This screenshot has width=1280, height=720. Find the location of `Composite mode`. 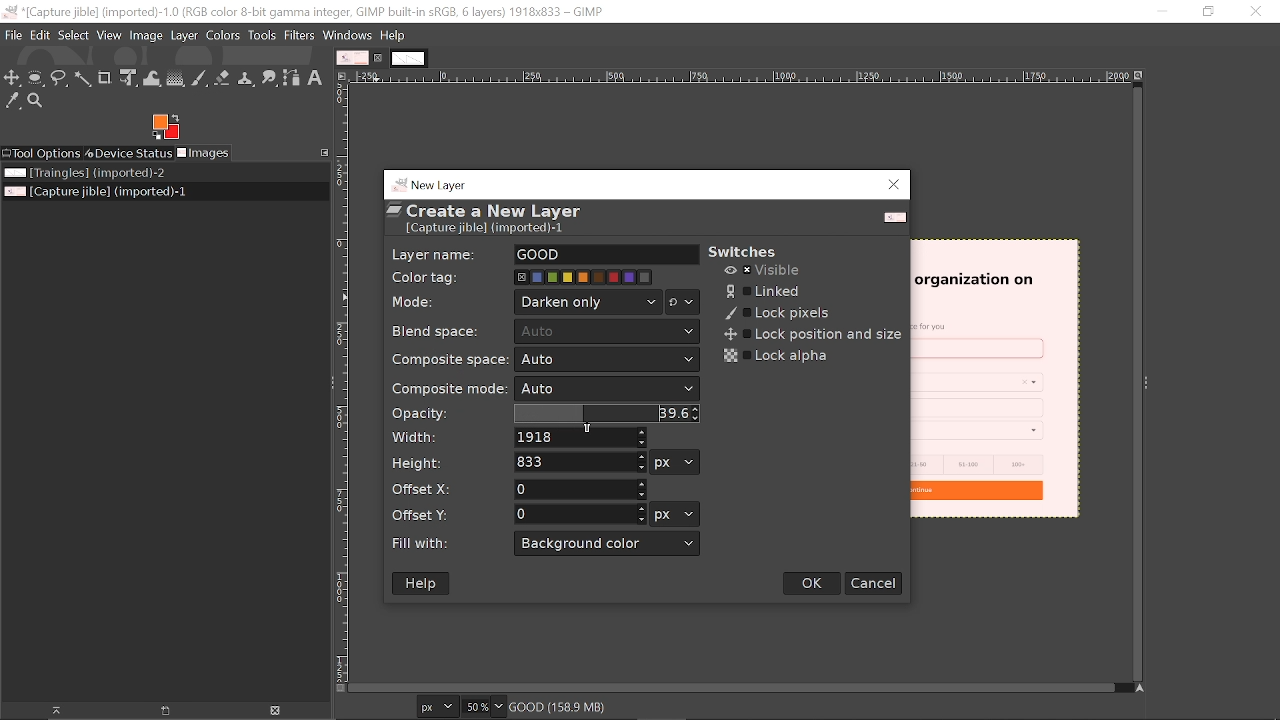

Composite mode is located at coordinates (608, 390).